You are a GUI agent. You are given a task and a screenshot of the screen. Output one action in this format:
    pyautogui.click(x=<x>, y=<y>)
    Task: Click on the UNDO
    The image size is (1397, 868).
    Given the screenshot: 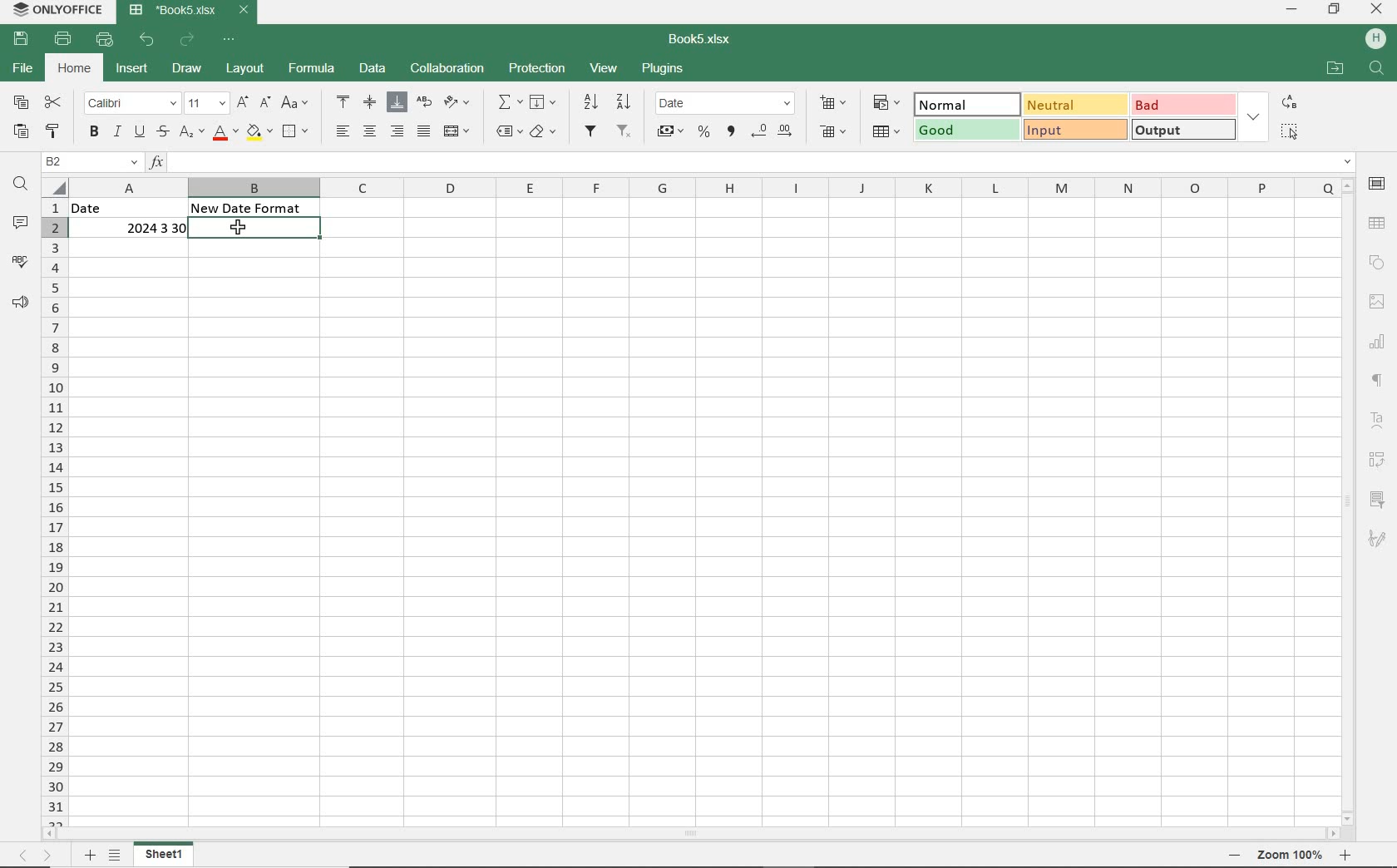 What is the action you would take?
    pyautogui.click(x=146, y=39)
    